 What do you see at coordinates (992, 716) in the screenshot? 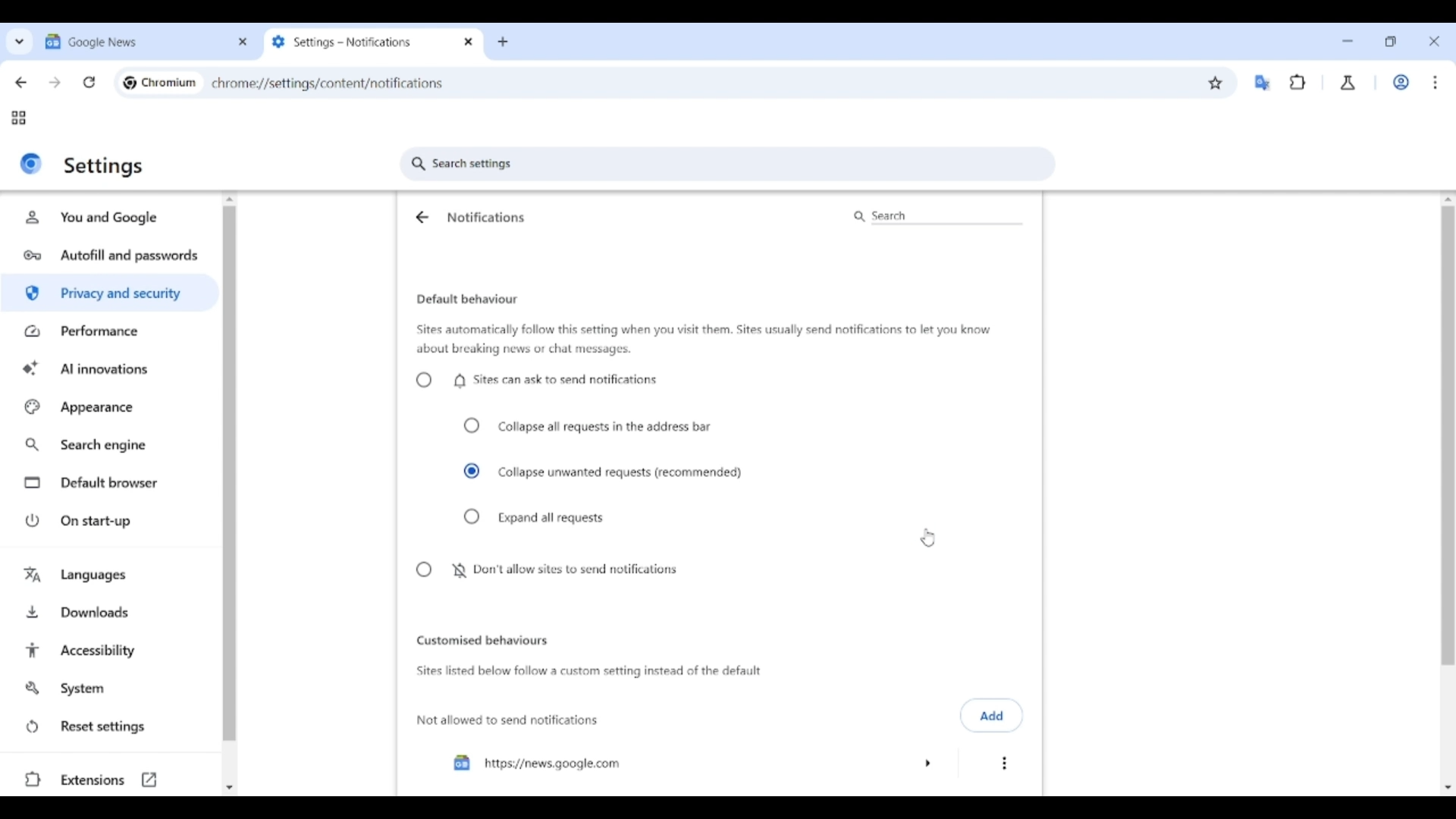
I see `Click to add sites not allowed to send notifications` at bounding box center [992, 716].